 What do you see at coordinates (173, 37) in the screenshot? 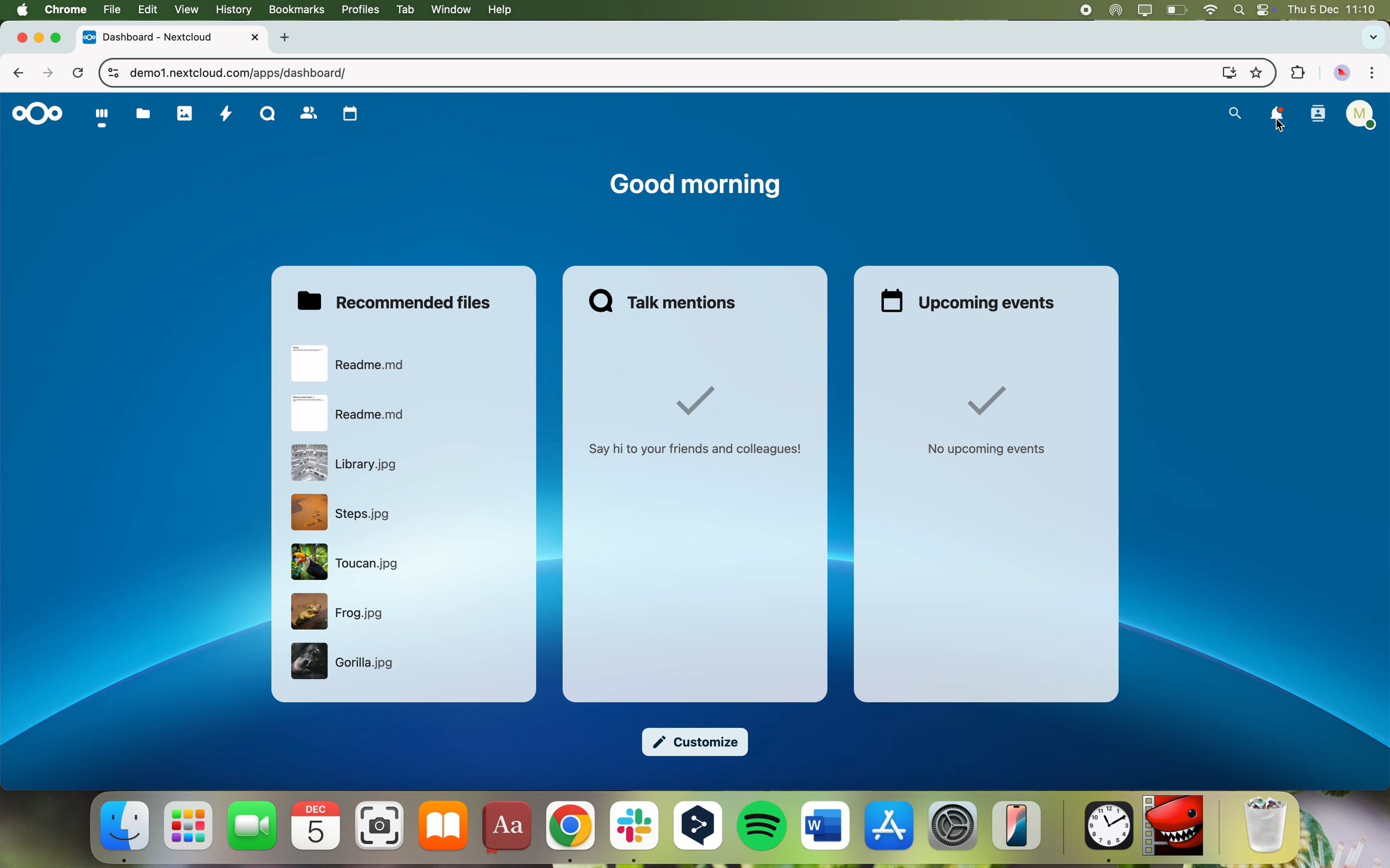
I see `tab` at bounding box center [173, 37].